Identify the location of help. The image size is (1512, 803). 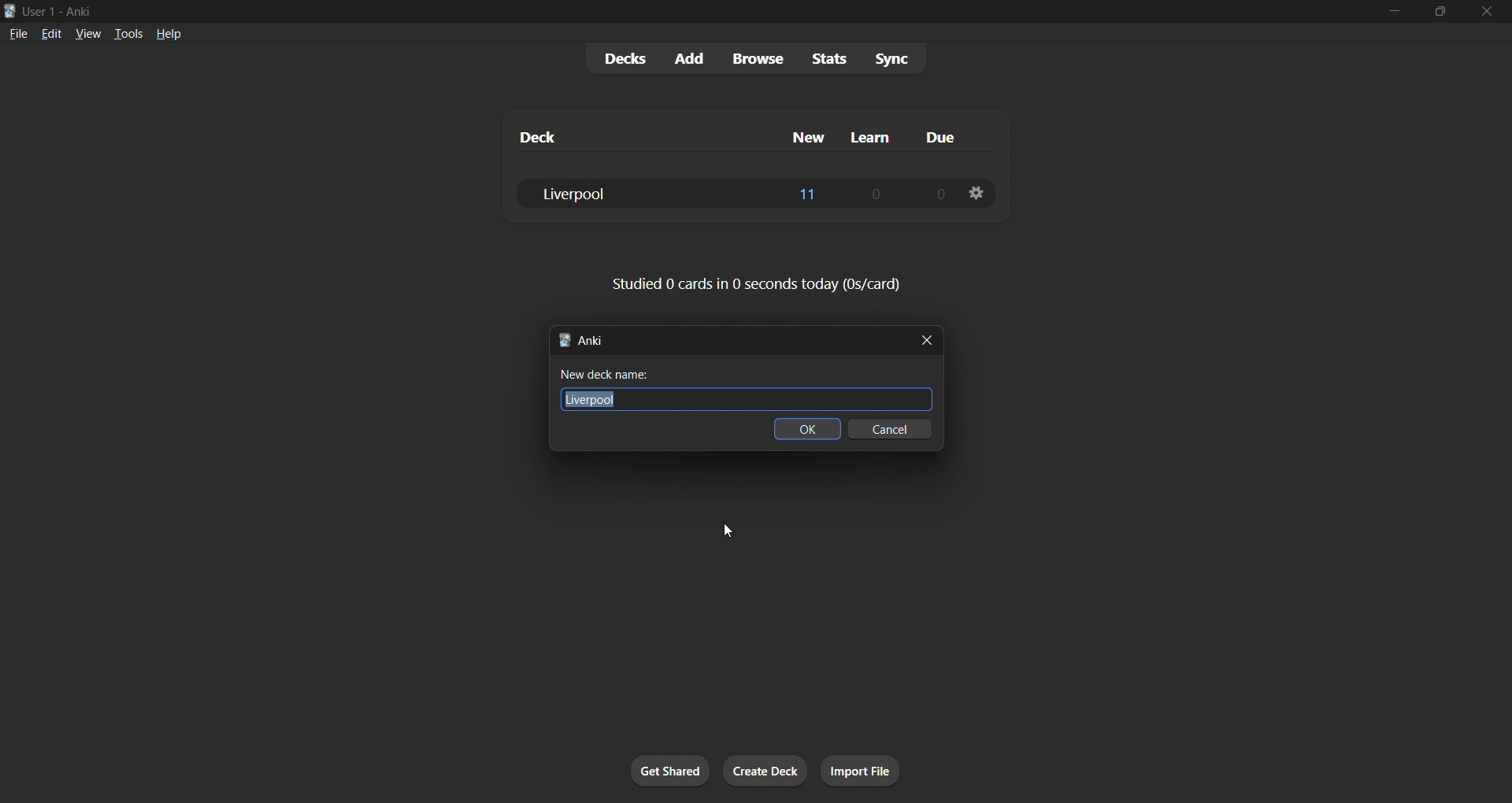
(172, 34).